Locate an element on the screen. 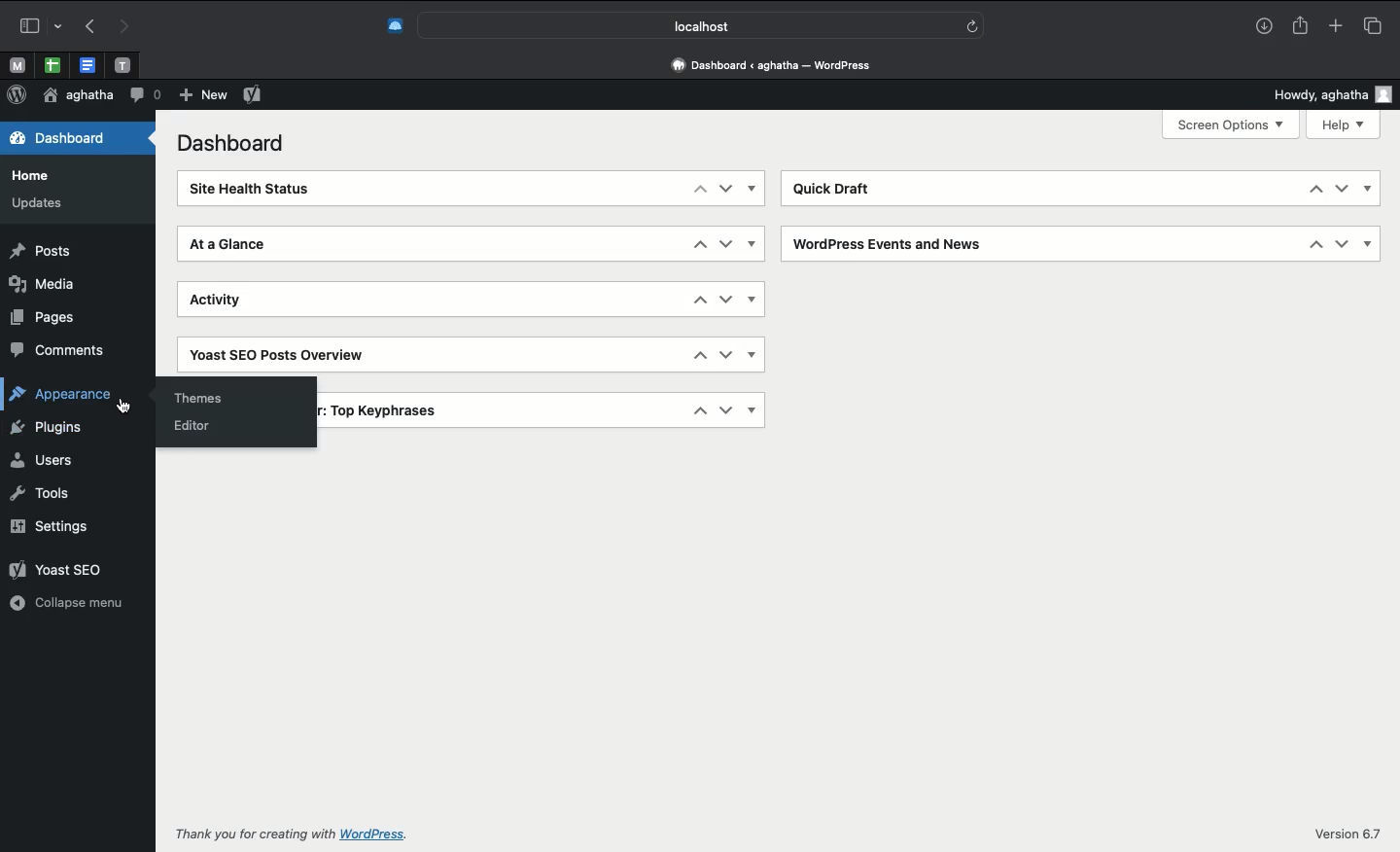 The height and width of the screenshot is (852, 1400). Pages is located at coordinates (45, 317).